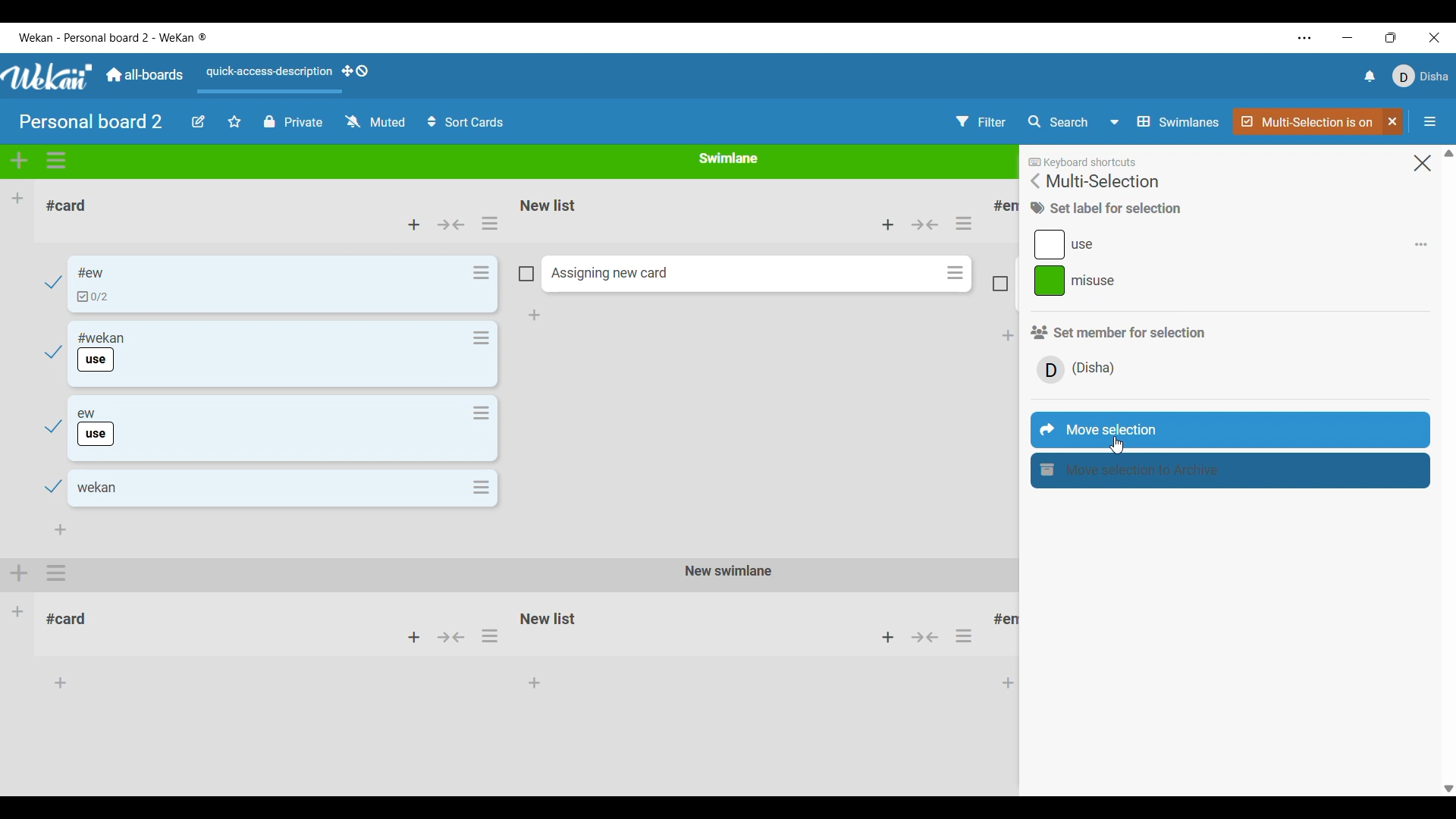  What do you see at coordinates (1119, 332) in the screenshot?
I see `Section title` at bounding box center [1119, 332].